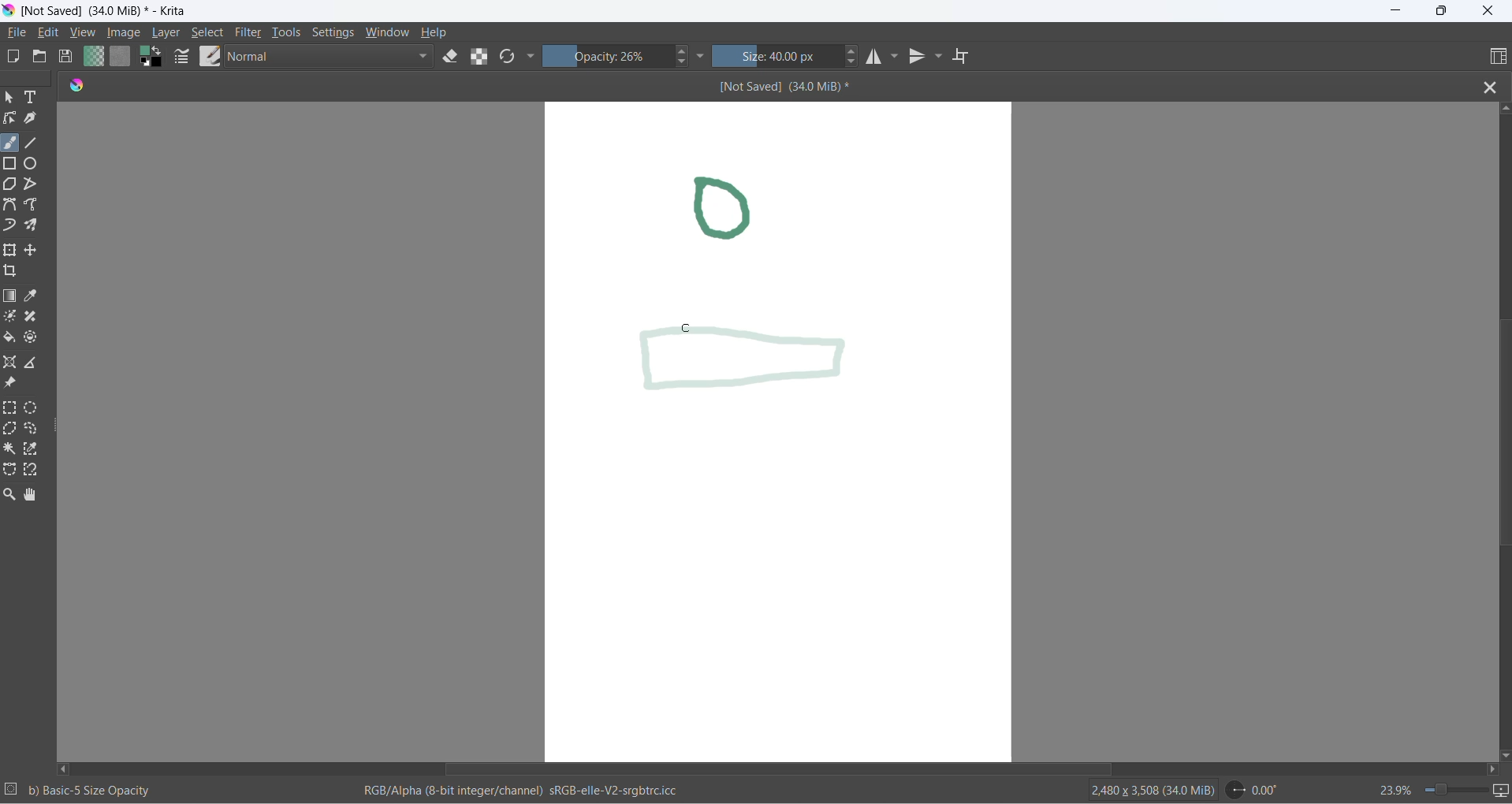  Describe the element at coordinates (36, 449) in the screenshot. I see `similar color selection tool` at that location.